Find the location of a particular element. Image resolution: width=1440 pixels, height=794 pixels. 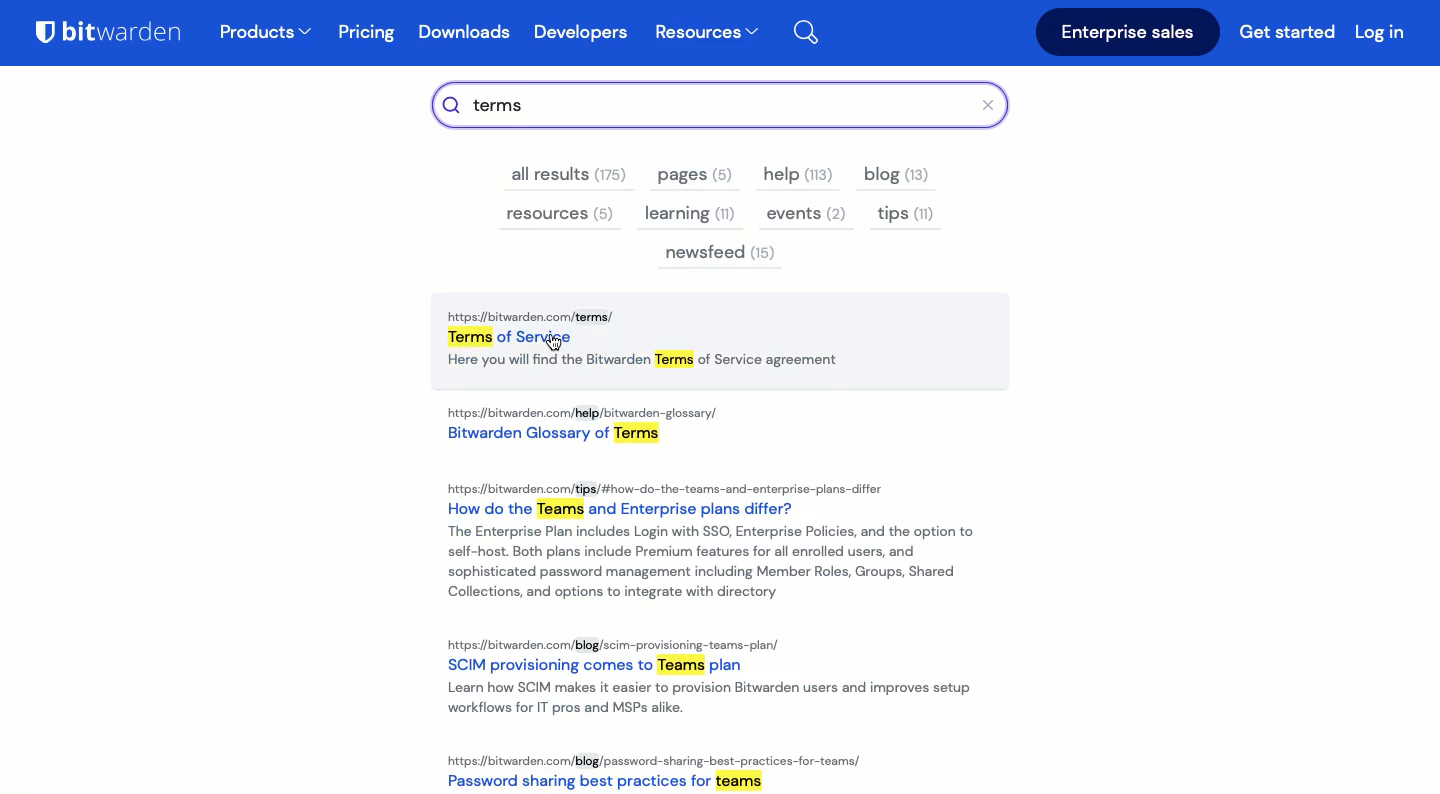

all results is located at coordinates (570, 175).